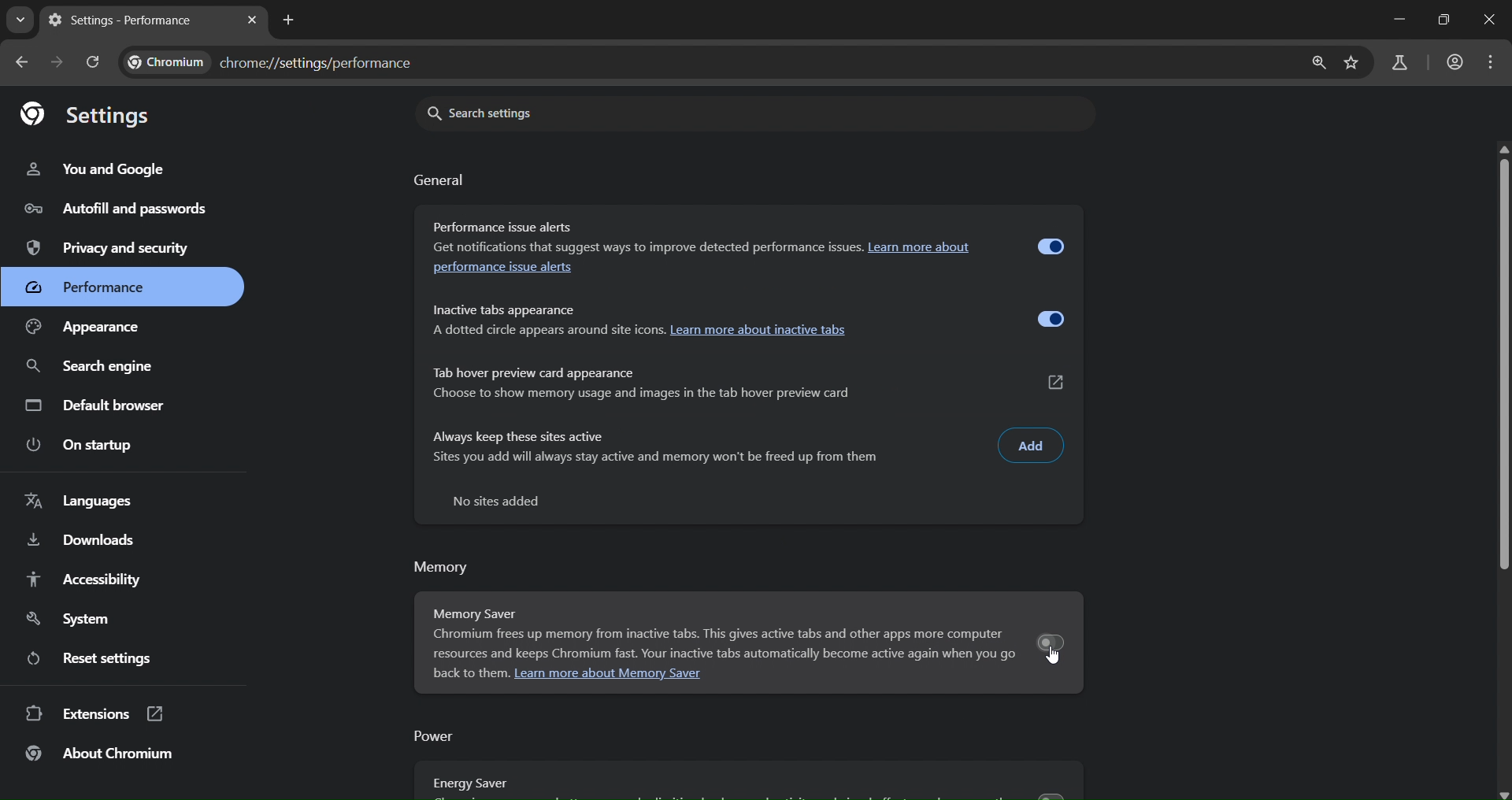 The width and height of the screenshot is (1512, 800). Describe the element at coordinates (1501, 357) in the screenshot. I see `slider` at that location.